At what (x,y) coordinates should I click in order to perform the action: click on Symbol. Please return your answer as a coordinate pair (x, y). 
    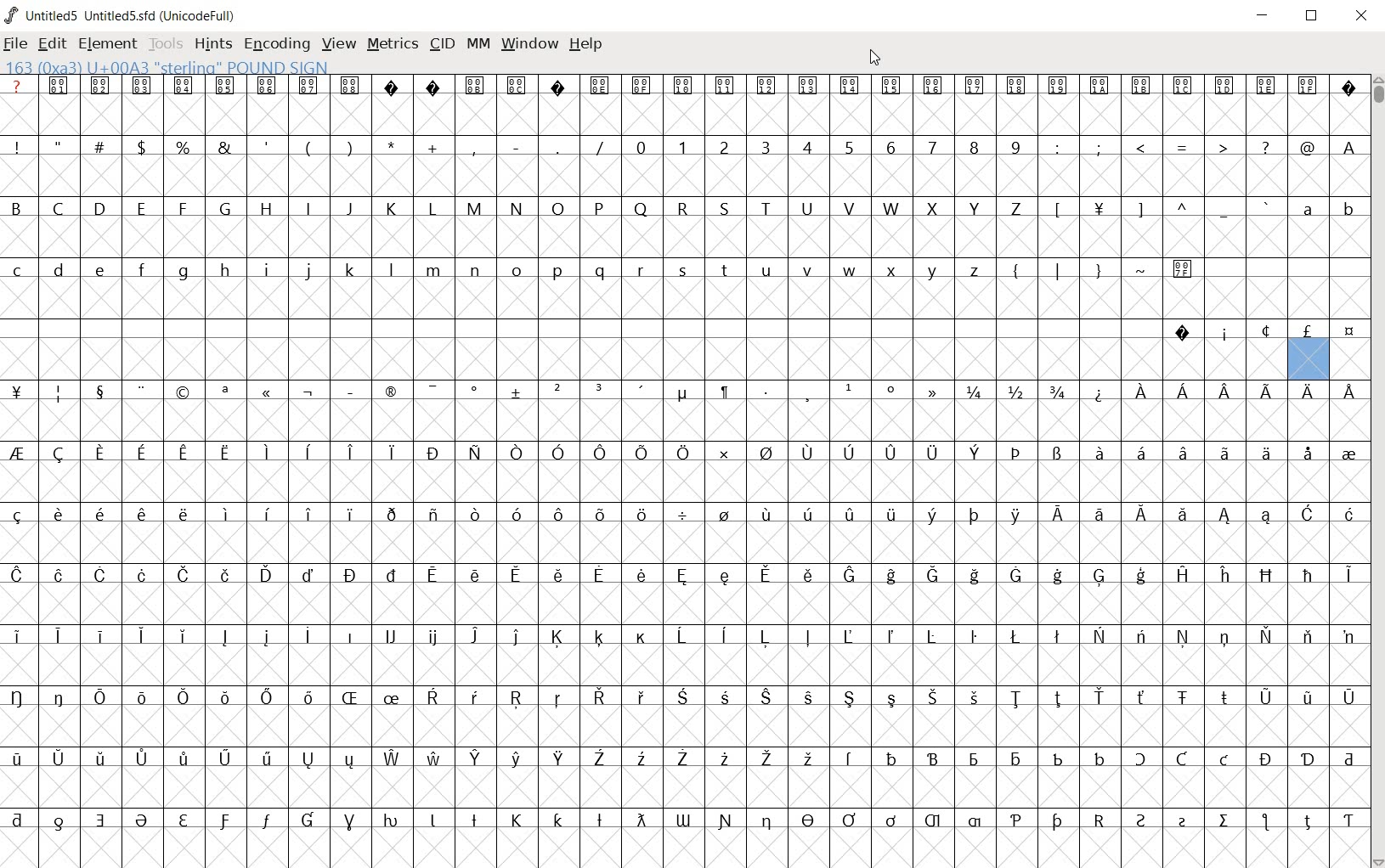
    Looking at the image, I should click on (807, 638).